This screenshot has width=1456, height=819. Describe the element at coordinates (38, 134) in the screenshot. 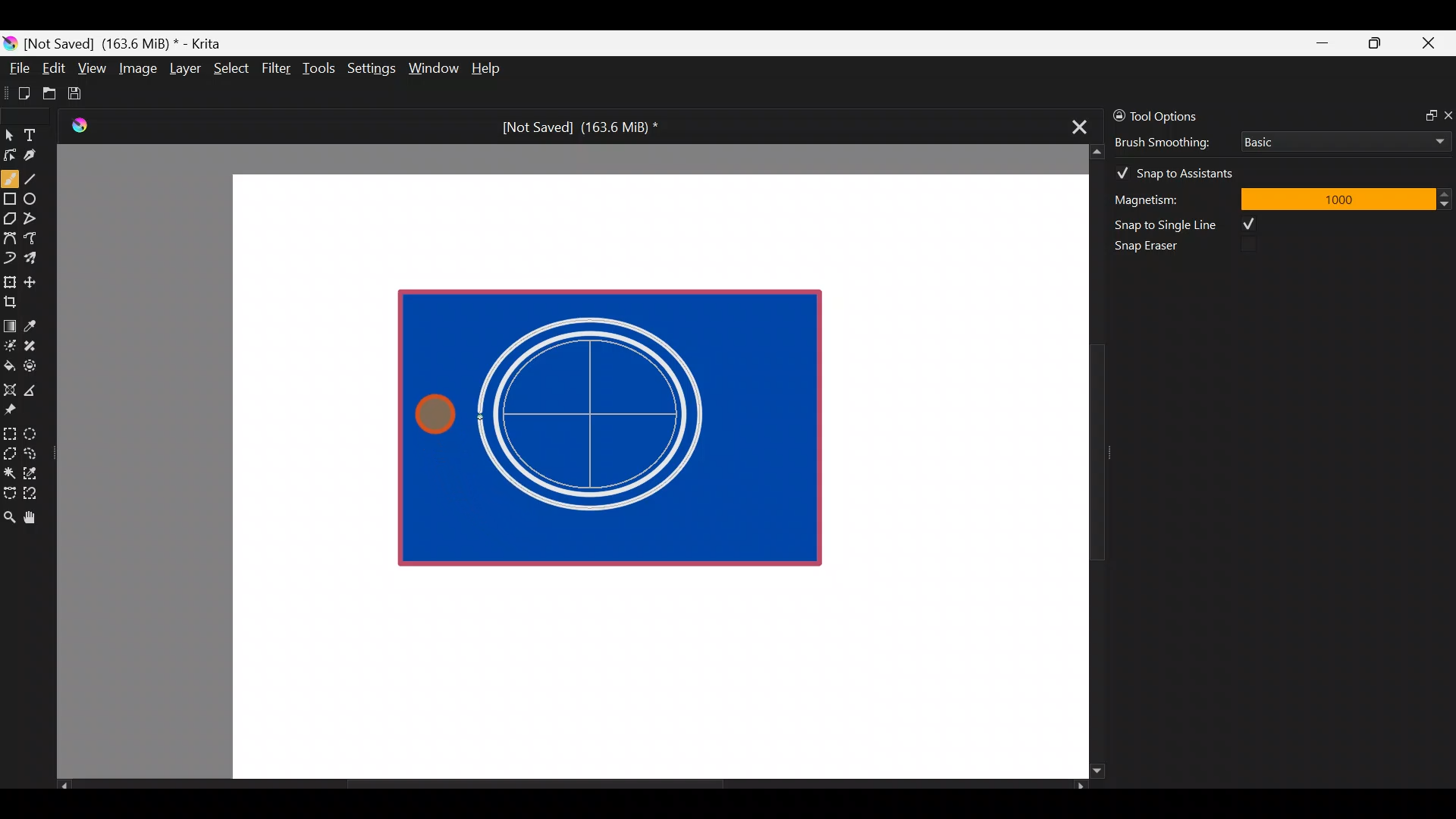

I see `Text tool` at that location.